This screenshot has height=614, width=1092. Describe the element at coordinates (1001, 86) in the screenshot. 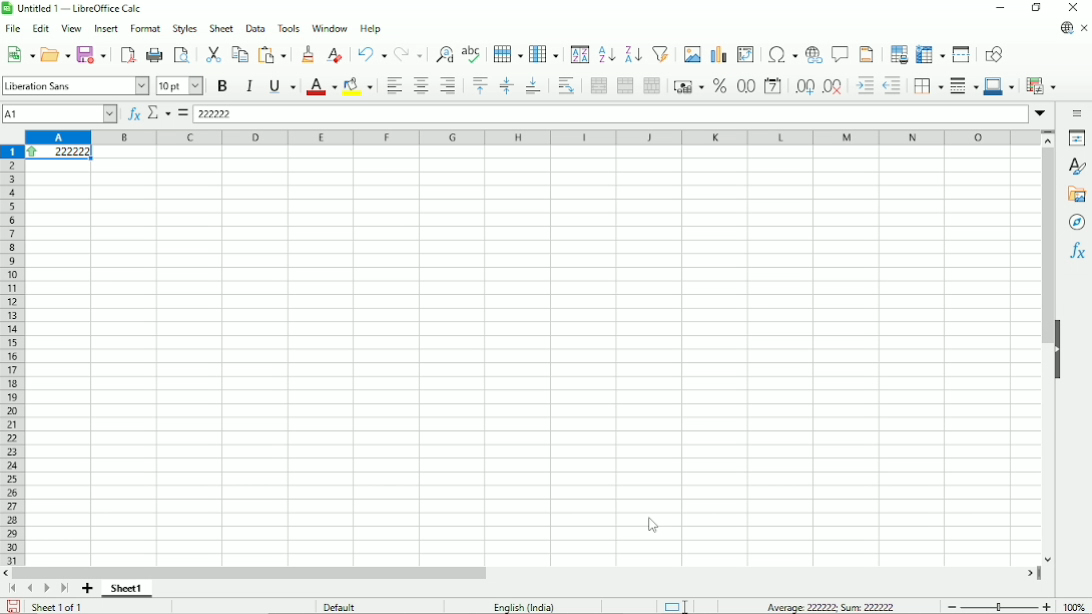

I see `Border color` at that location.